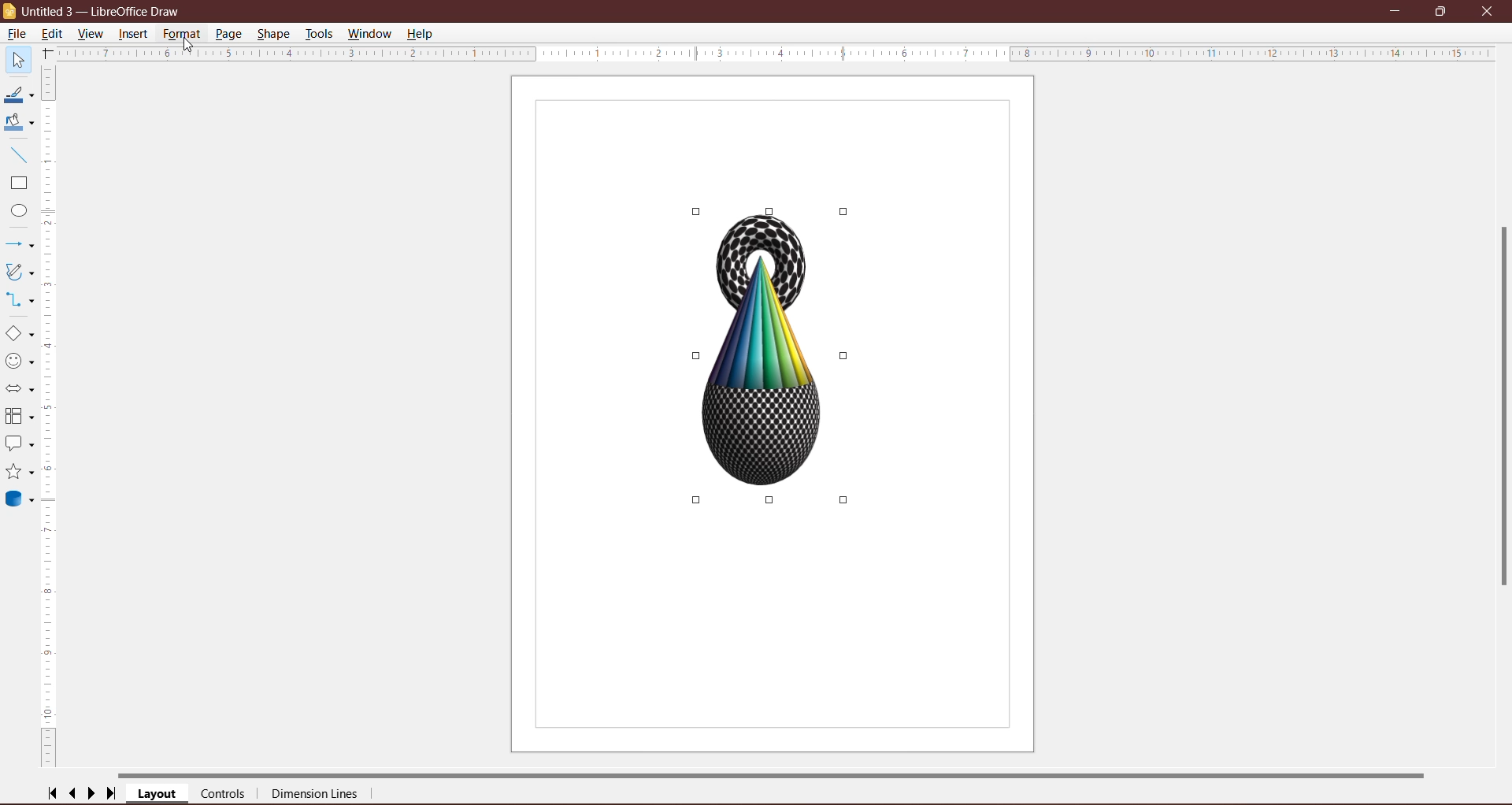 This screenshot has width=1512, height=805. I want to click on Minimize, so click(1396, 9).